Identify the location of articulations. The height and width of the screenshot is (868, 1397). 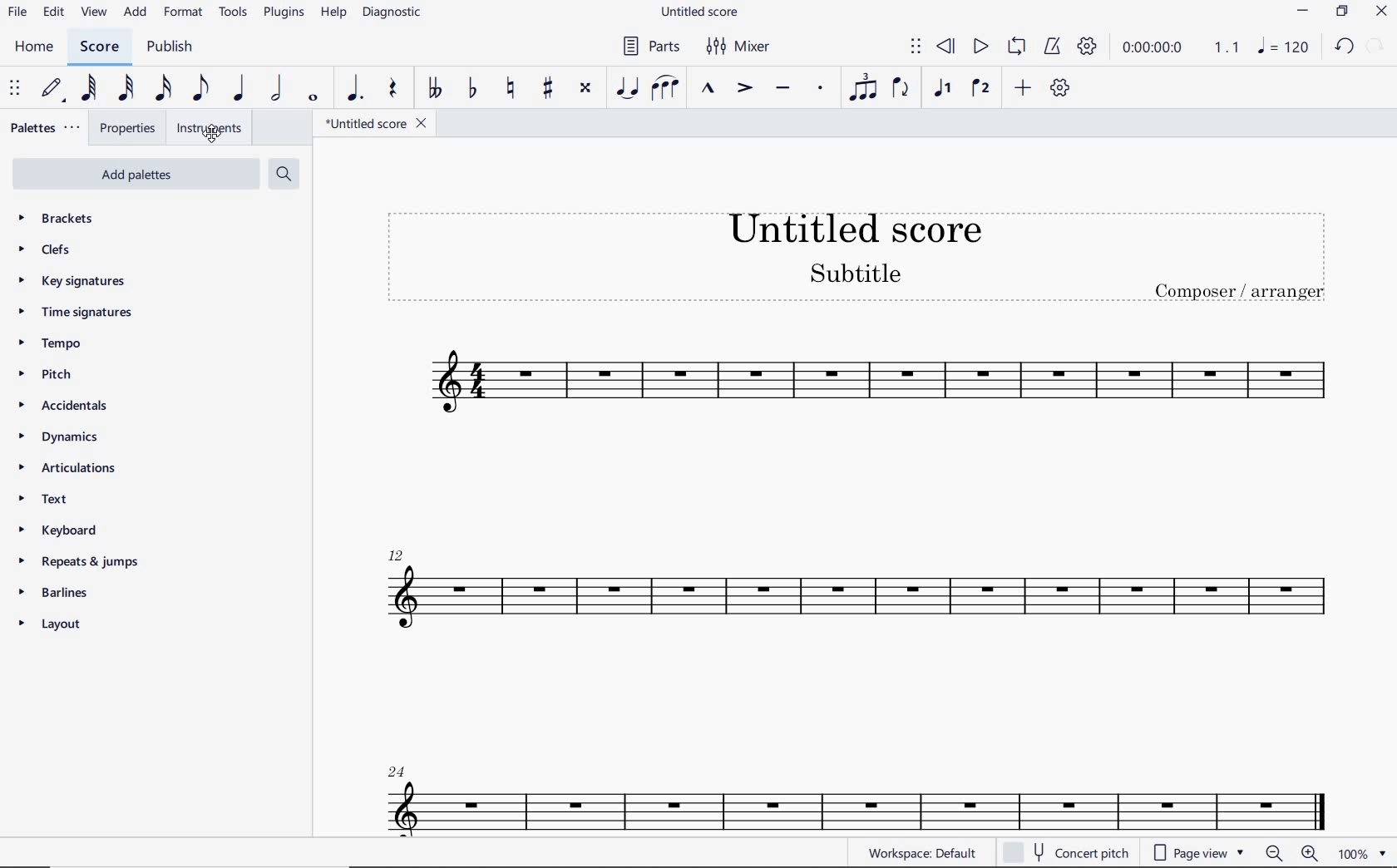
(67, 467).